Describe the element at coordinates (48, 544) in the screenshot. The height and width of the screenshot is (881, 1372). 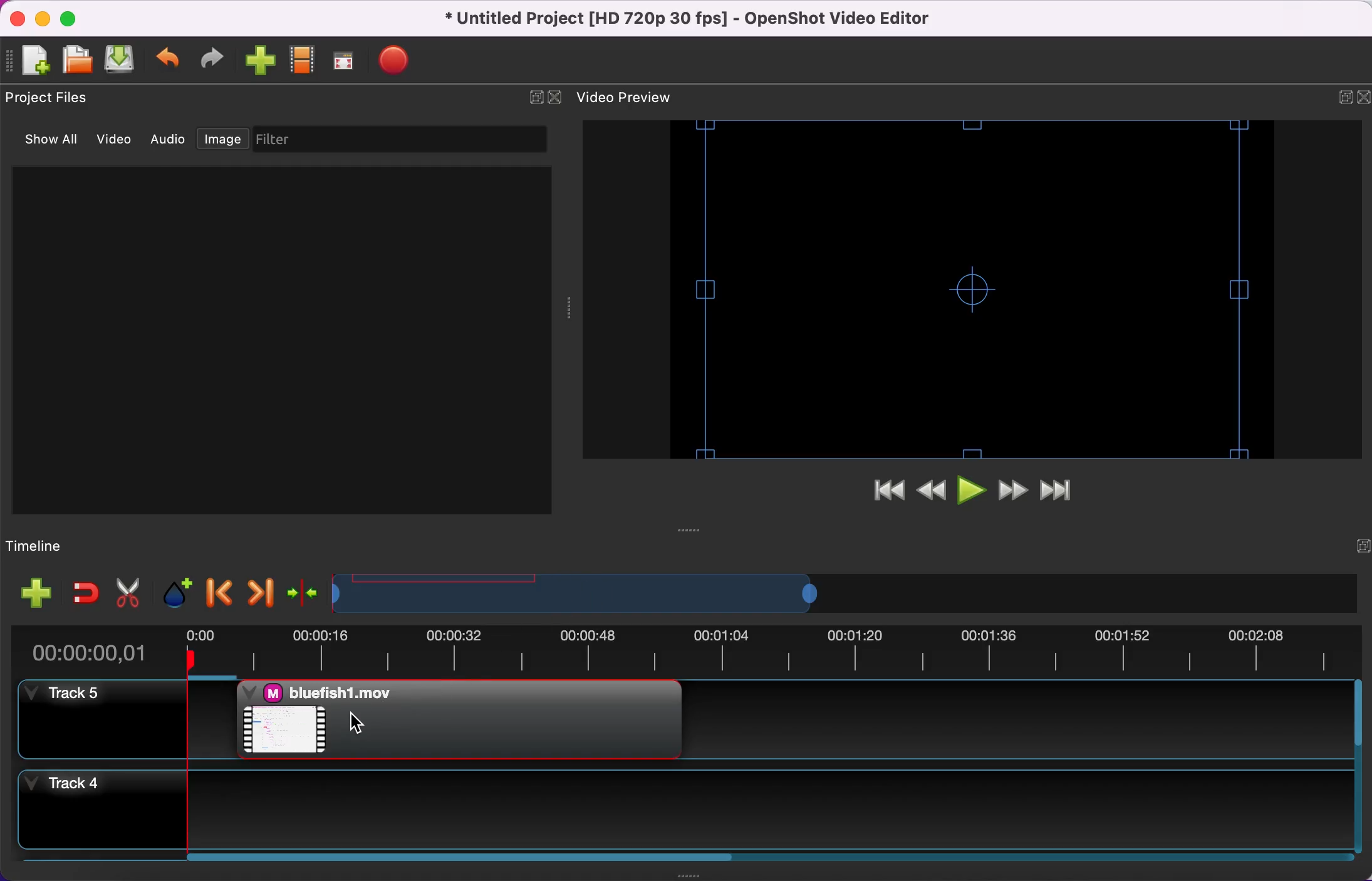
I see `timeline` at that location.